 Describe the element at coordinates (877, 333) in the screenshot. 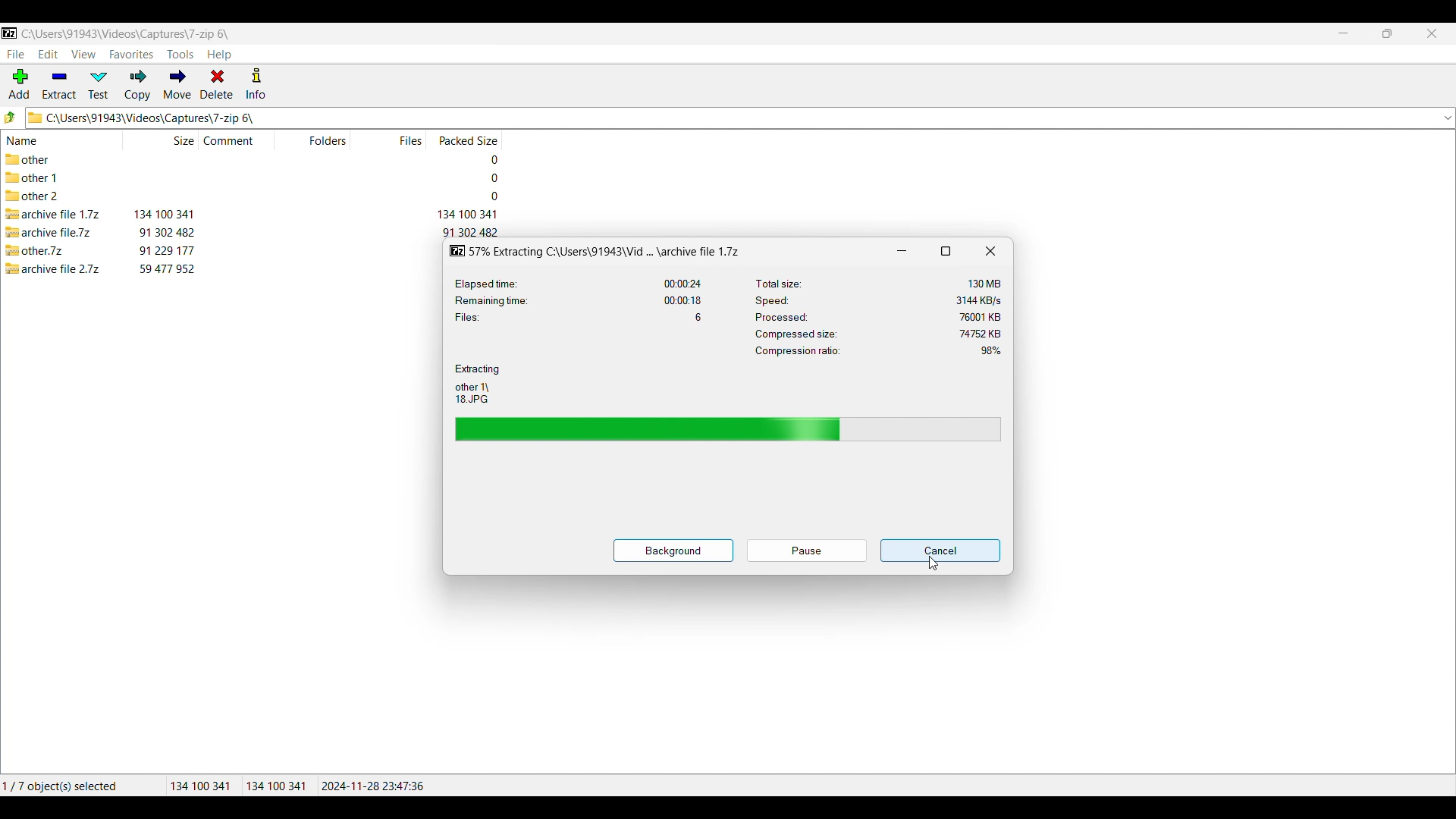

I see `‘Compressed size: 74752 KB` at that location.